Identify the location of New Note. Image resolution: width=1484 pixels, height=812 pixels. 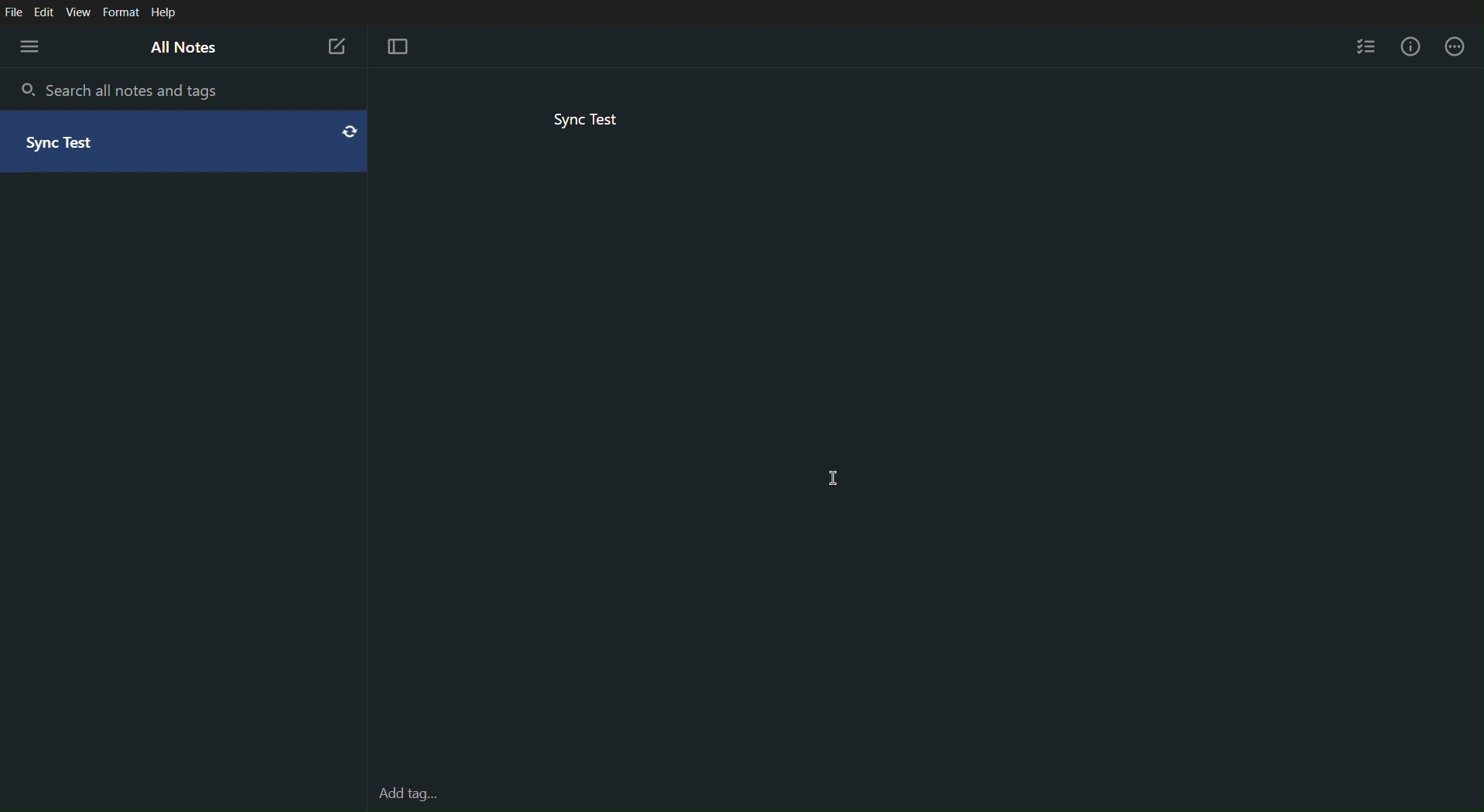
(337, 46).